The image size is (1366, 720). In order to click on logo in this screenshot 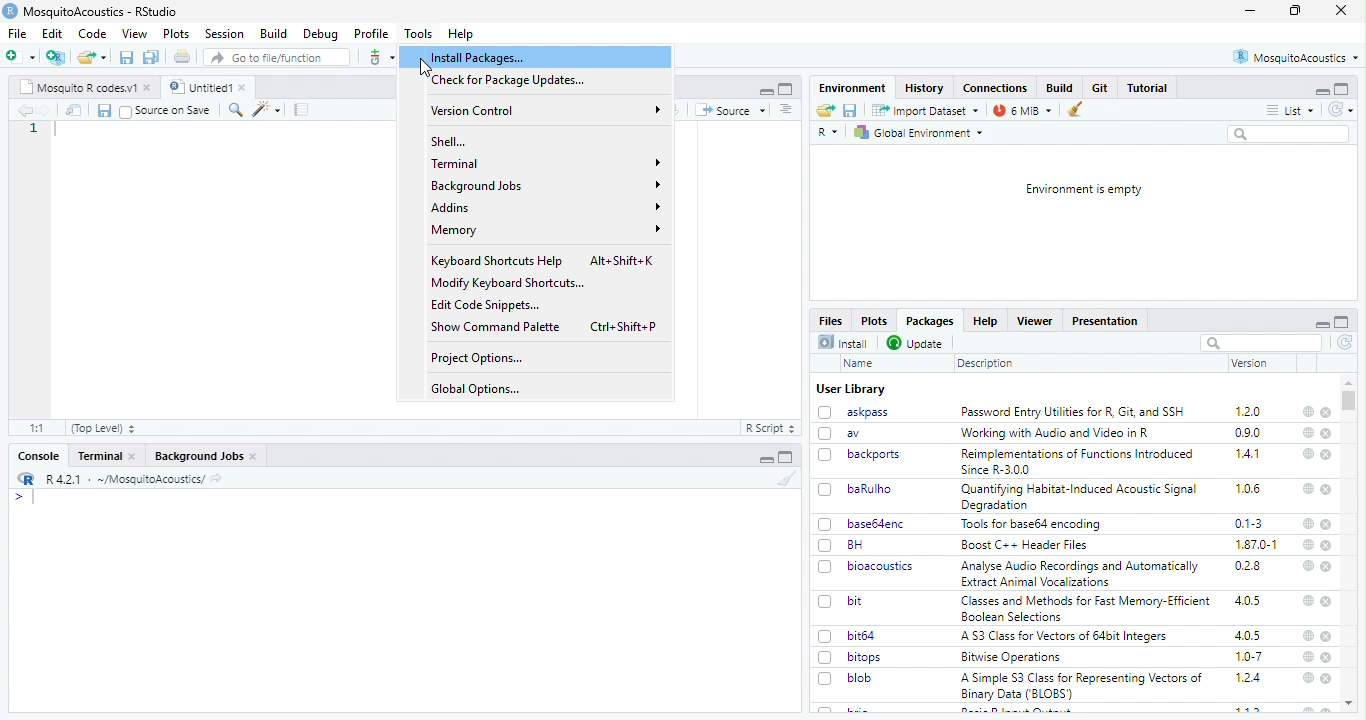, I will do `click(27, 478)`.